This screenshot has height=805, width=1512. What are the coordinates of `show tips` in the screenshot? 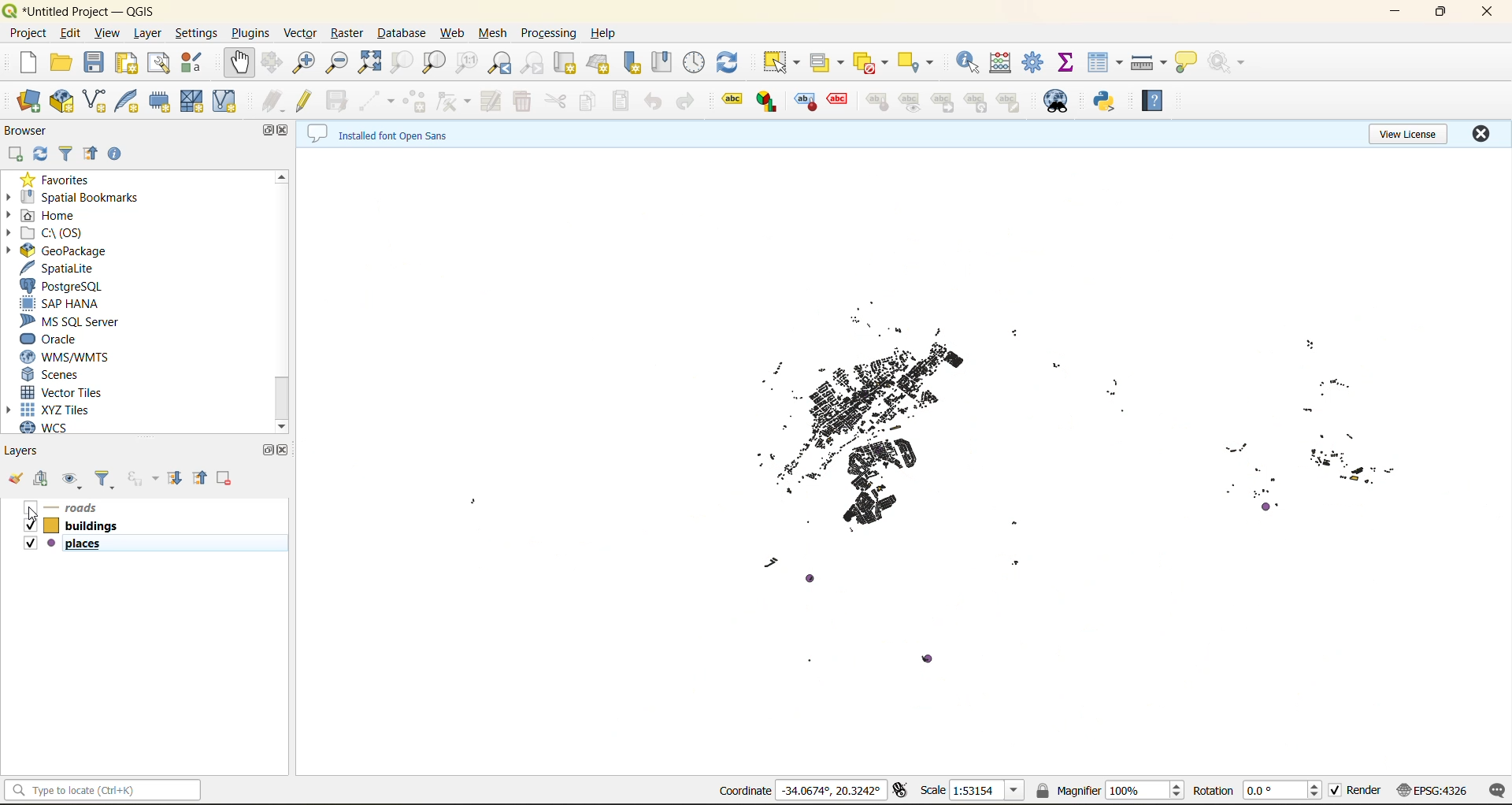 It's located at (1187, 63).